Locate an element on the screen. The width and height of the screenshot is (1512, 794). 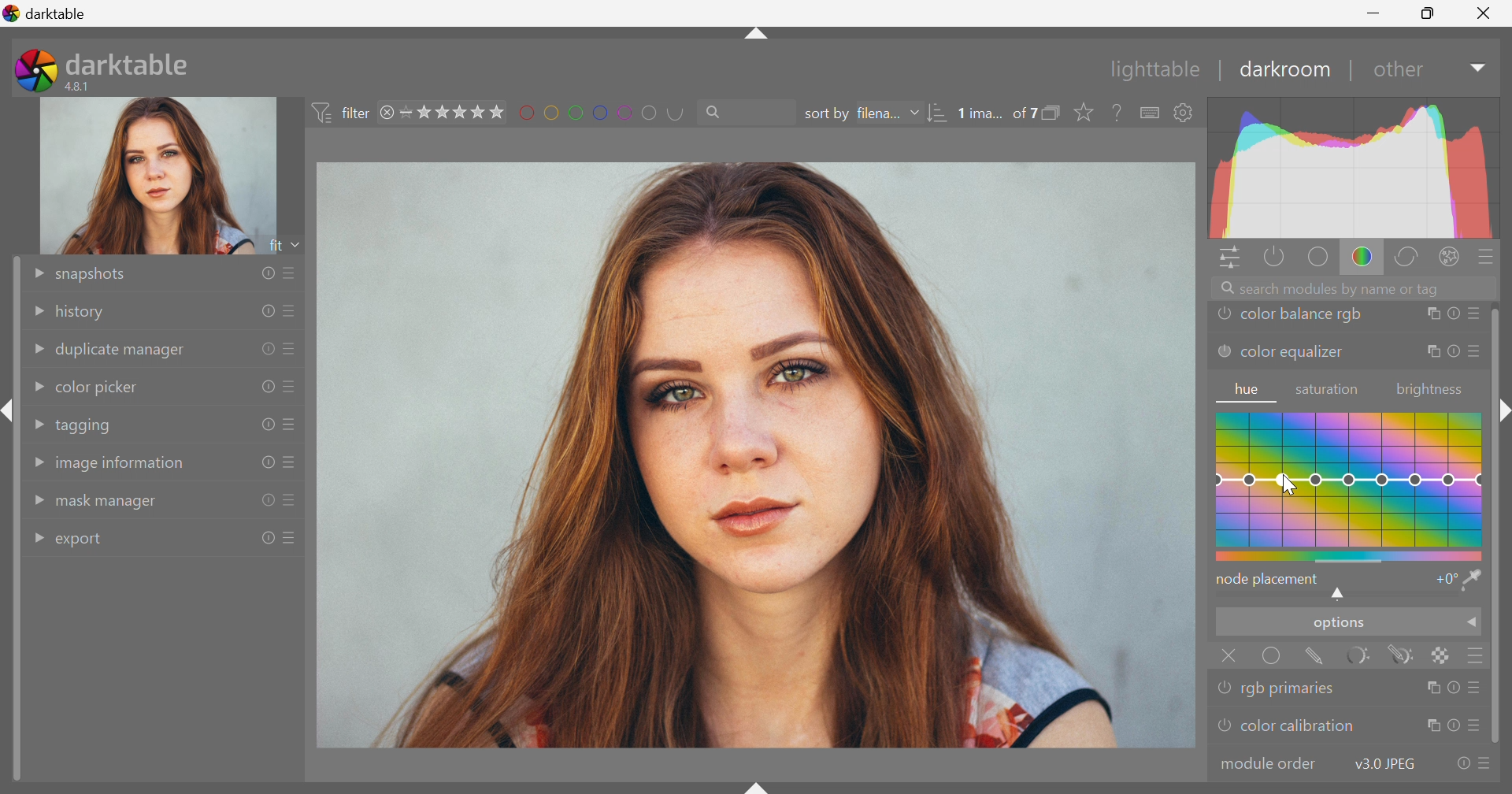
Drop Down is located at coordinates (36, 462).